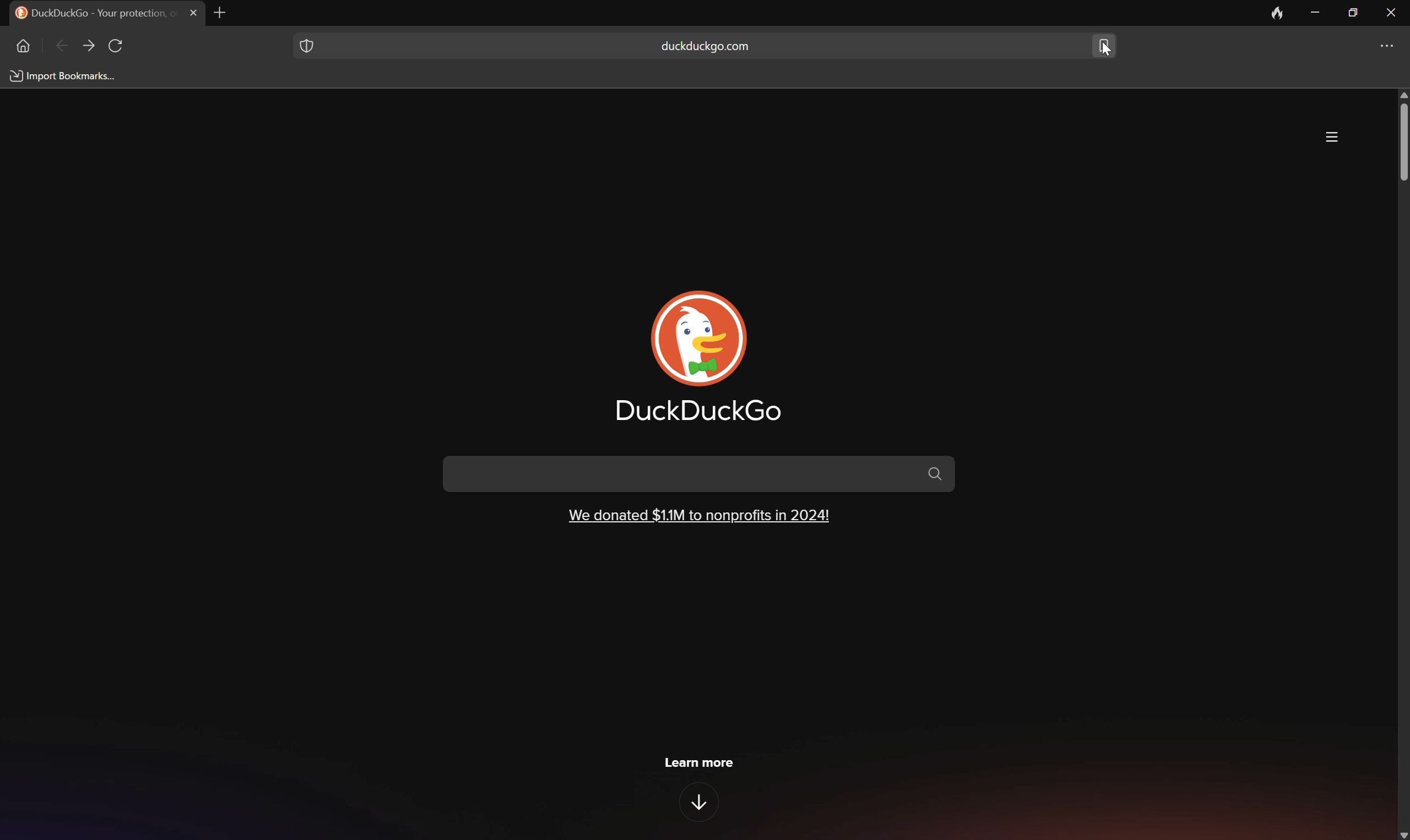 Image resolution: width=1410 pixels, height=840 pixels. What do you see at coordinates (1401, 93) in the screenshot?
I see `Scroll Up` at bounding box center [1401, 93].